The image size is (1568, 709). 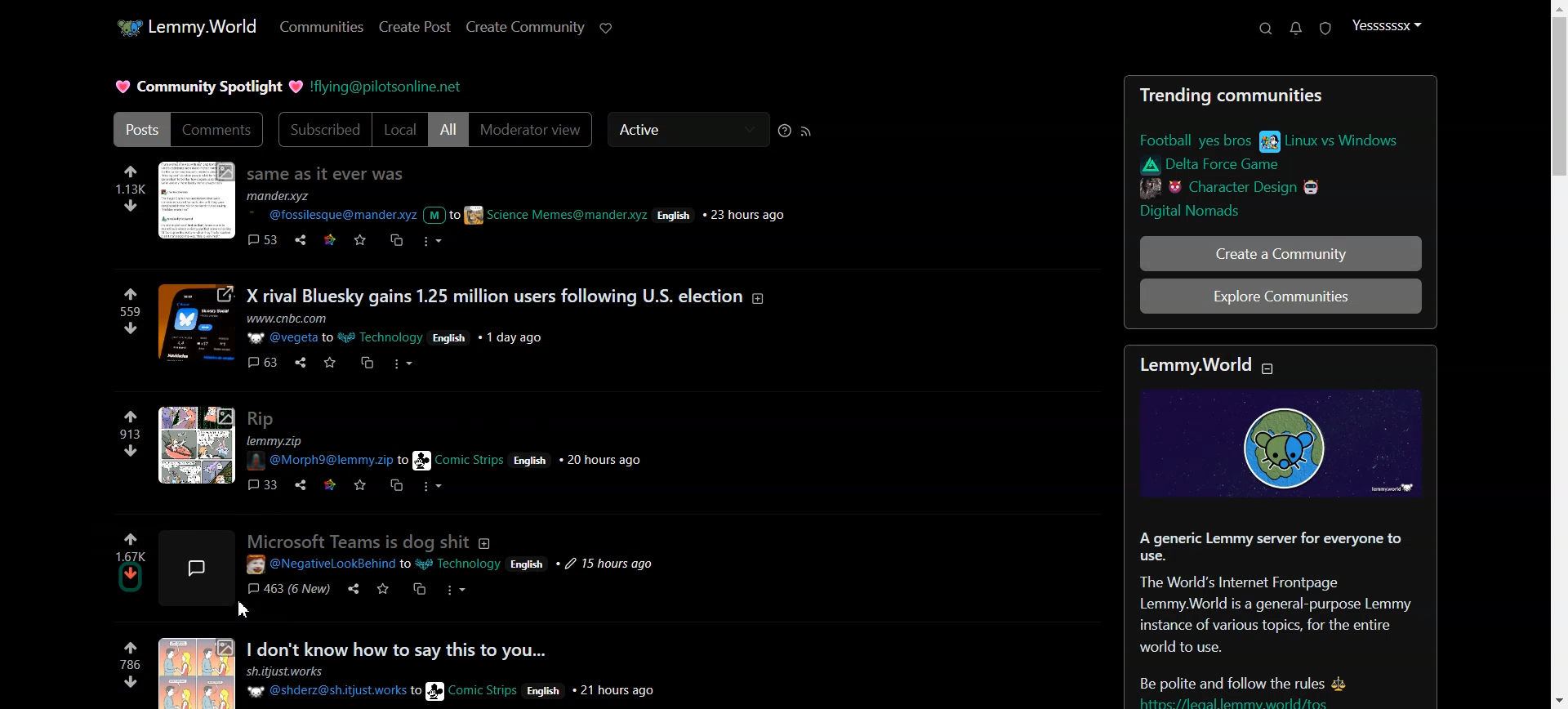 I want to click on Search, so click(x=1265, y=28).